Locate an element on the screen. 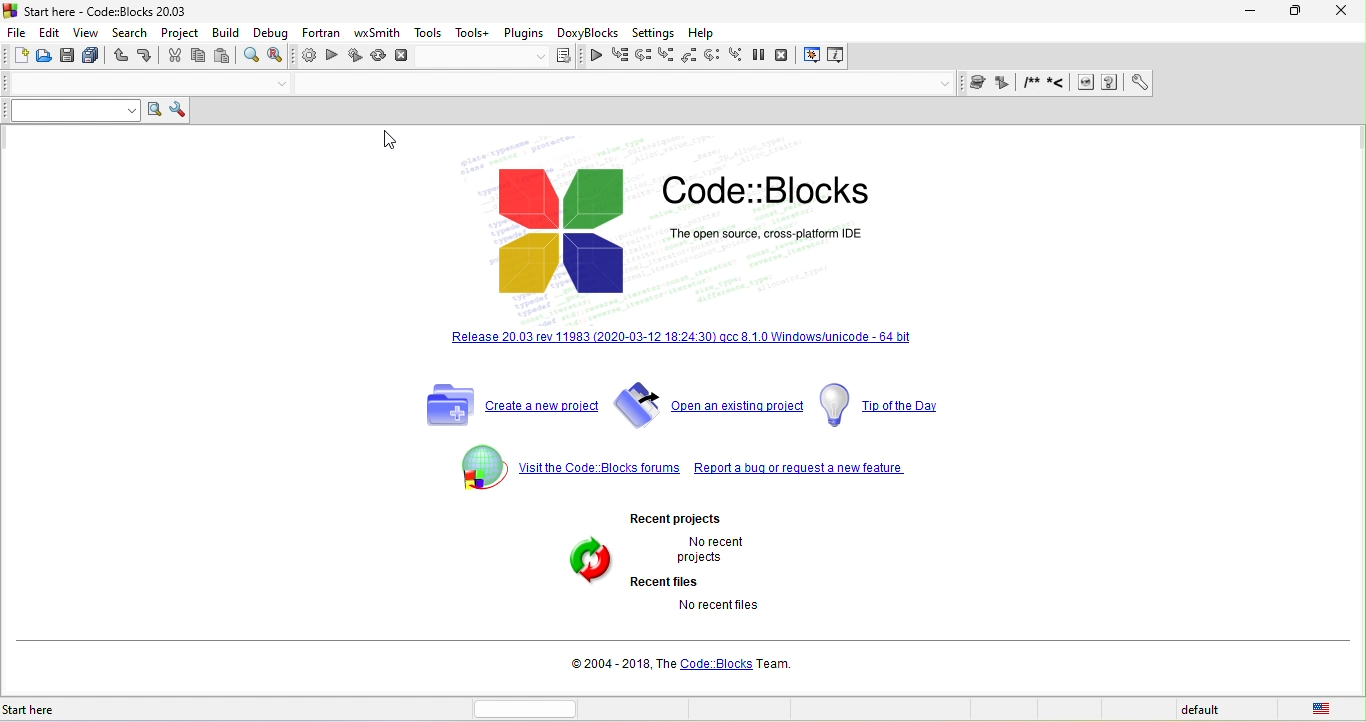  extract documentation is located at coordinates (1162, 84).